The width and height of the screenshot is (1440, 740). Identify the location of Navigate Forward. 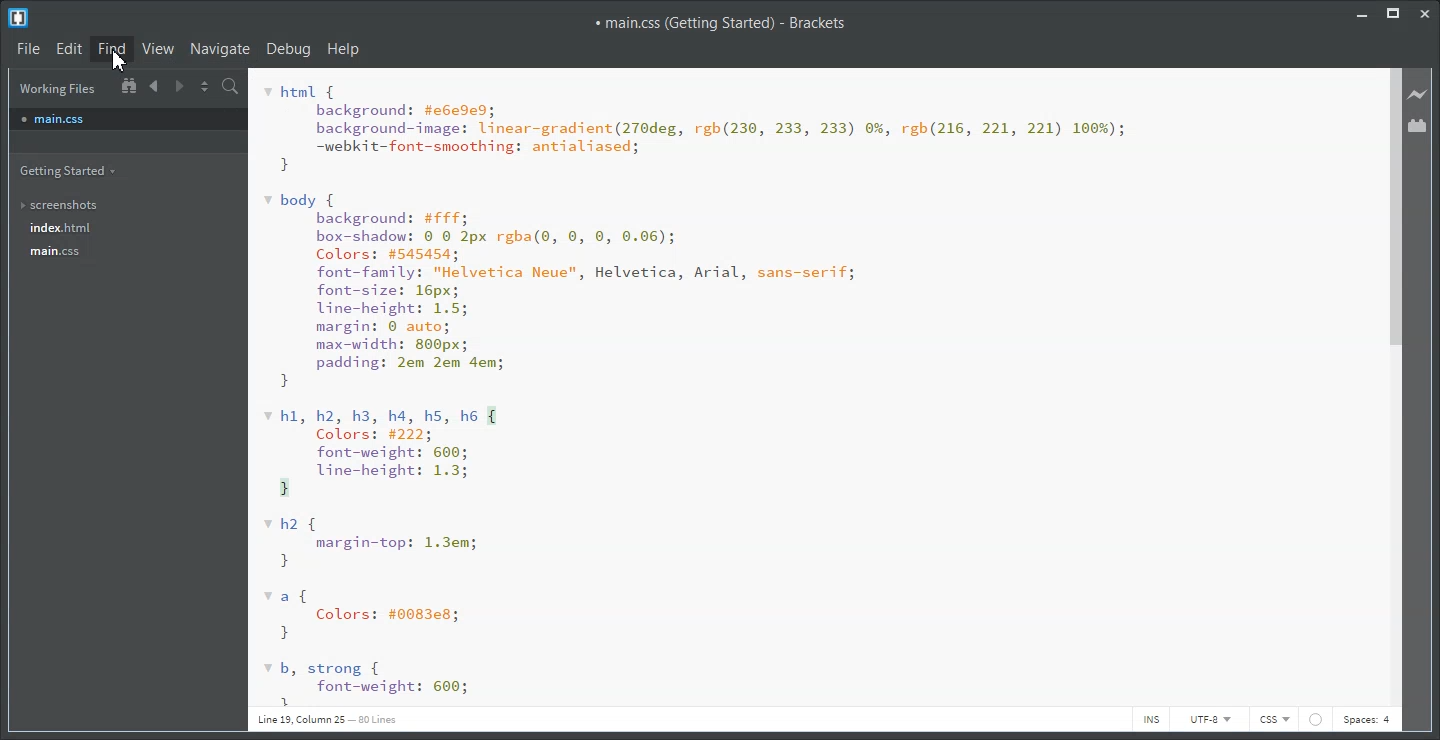
(180, 84).